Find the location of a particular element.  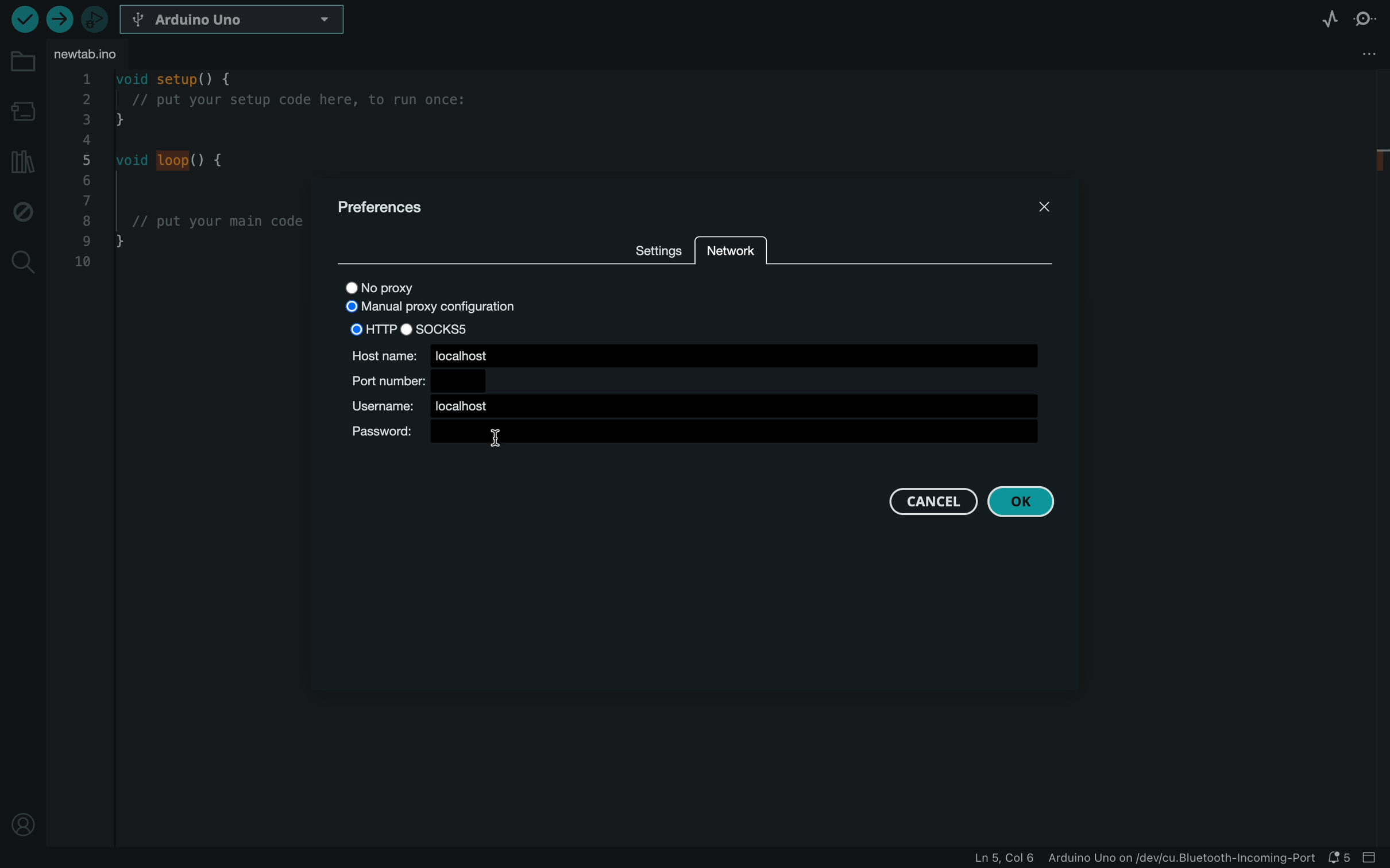

debug is located at coordinates (23, 211).